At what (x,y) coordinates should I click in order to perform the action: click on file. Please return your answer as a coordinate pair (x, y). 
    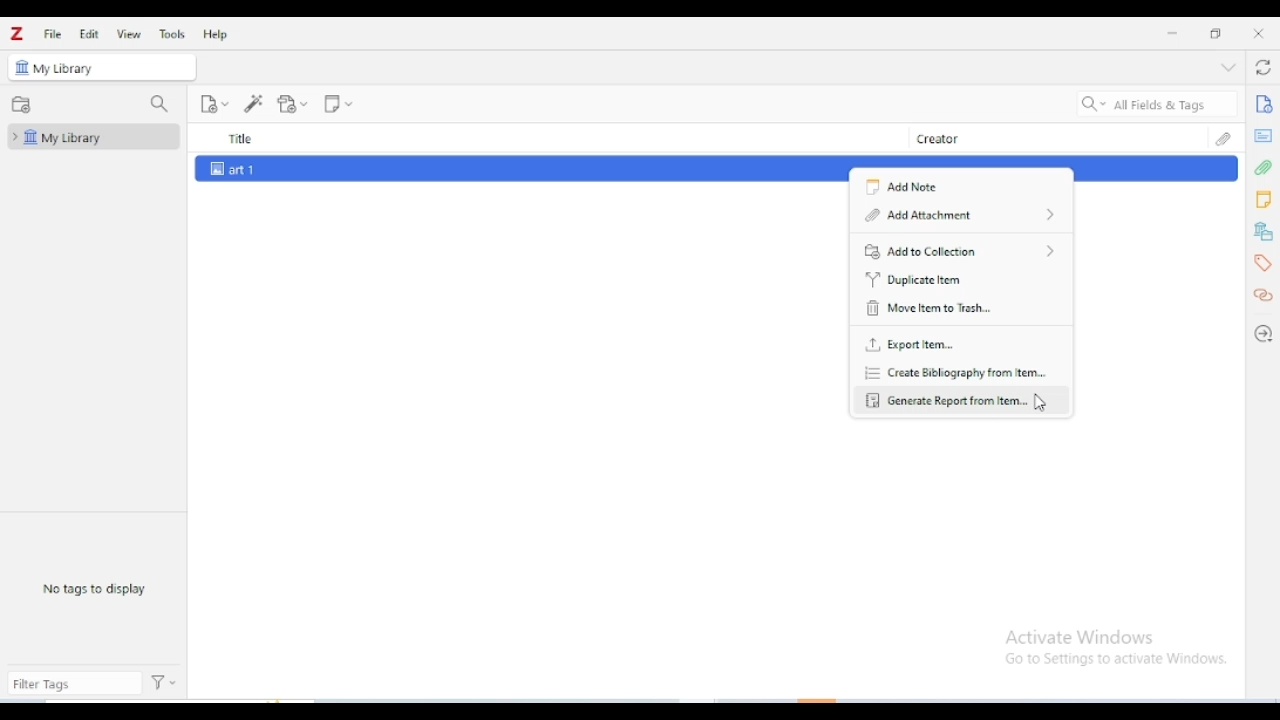
    Looking at the image, I should click on (54, 34).